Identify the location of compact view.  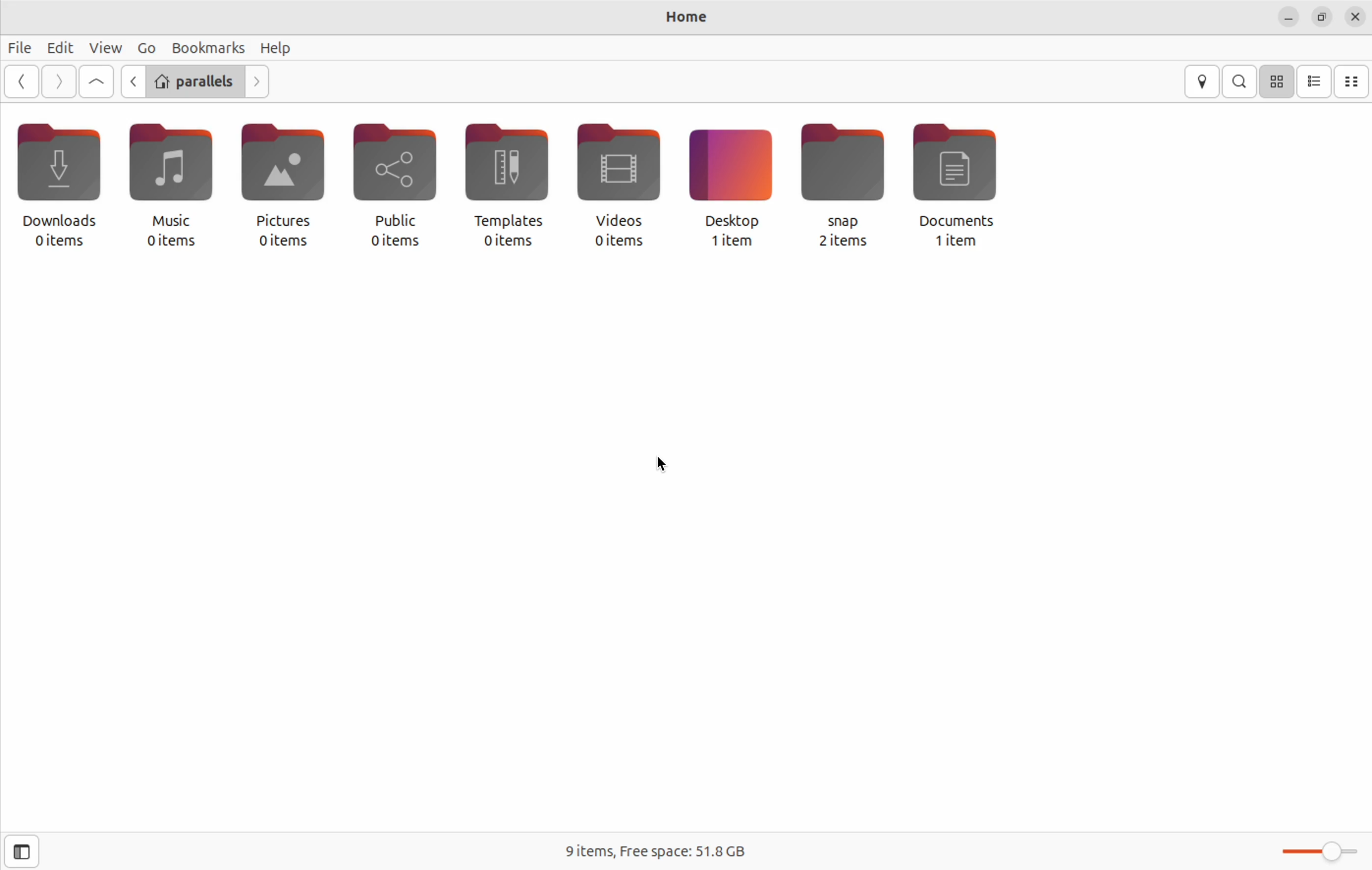
(1351, 79).